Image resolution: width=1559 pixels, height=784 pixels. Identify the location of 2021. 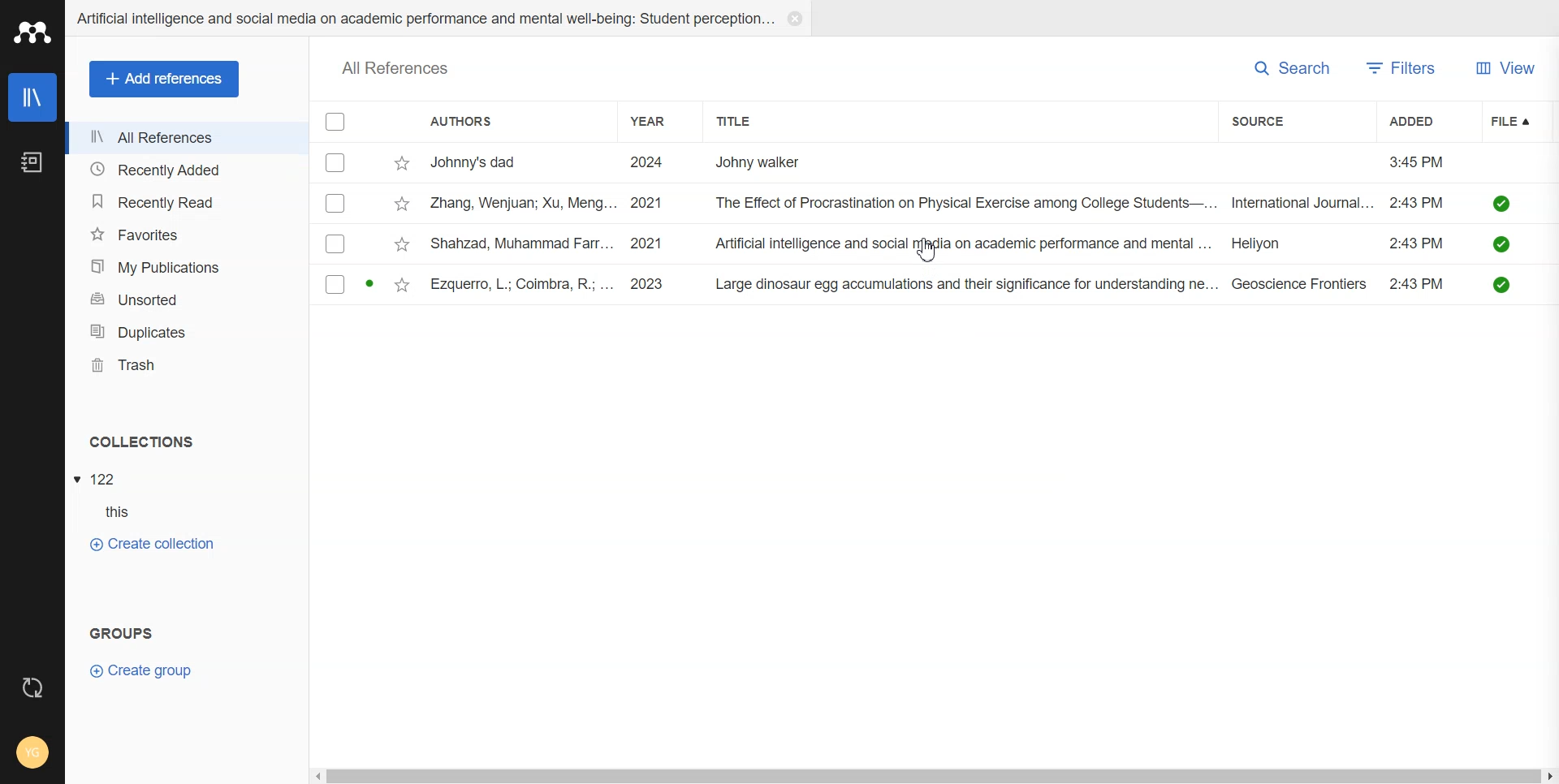
(646, 243).